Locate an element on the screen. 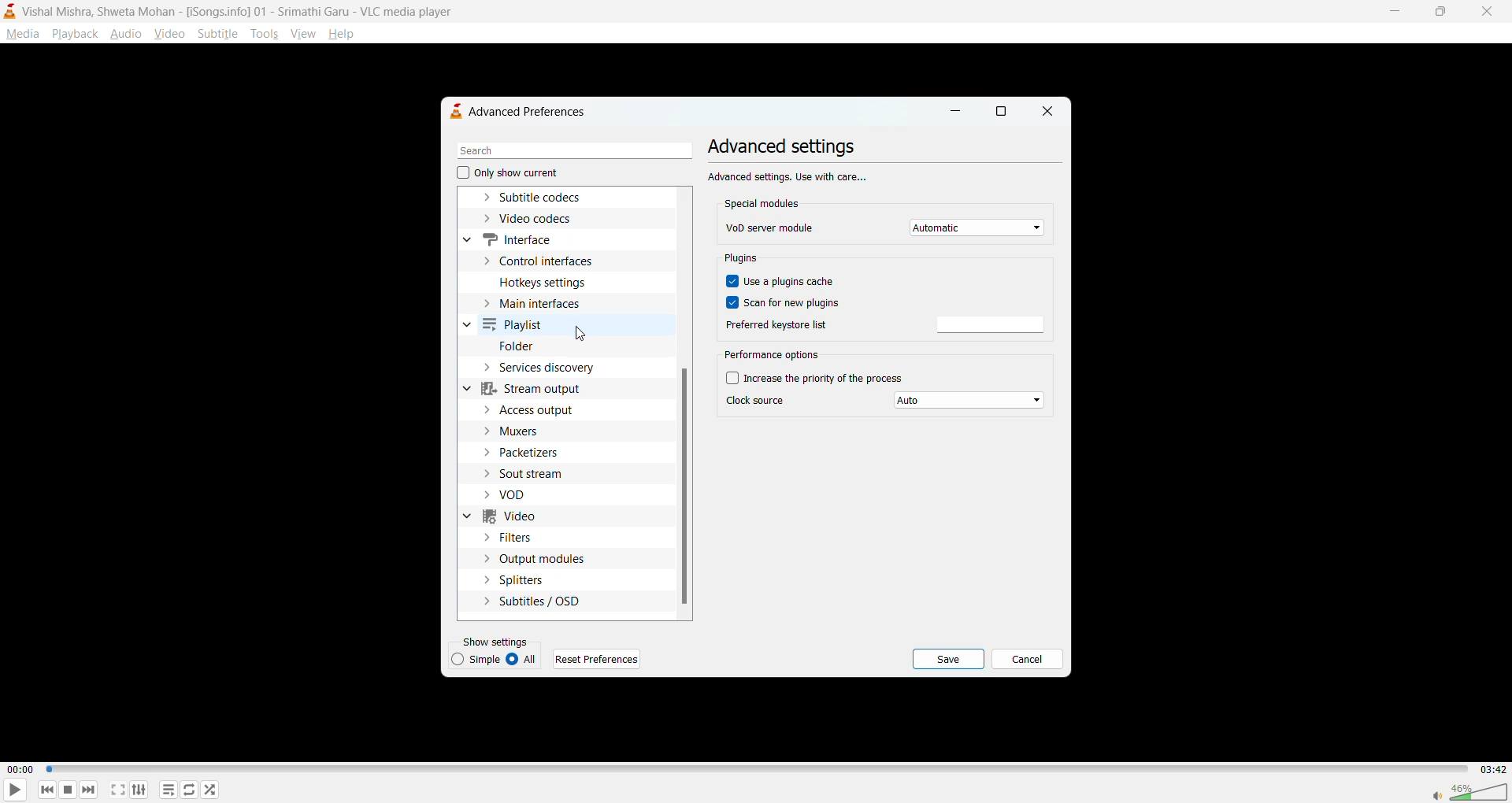 The width and height of the screenshot is (1512, 803). video is located at coordinates (171, 33).